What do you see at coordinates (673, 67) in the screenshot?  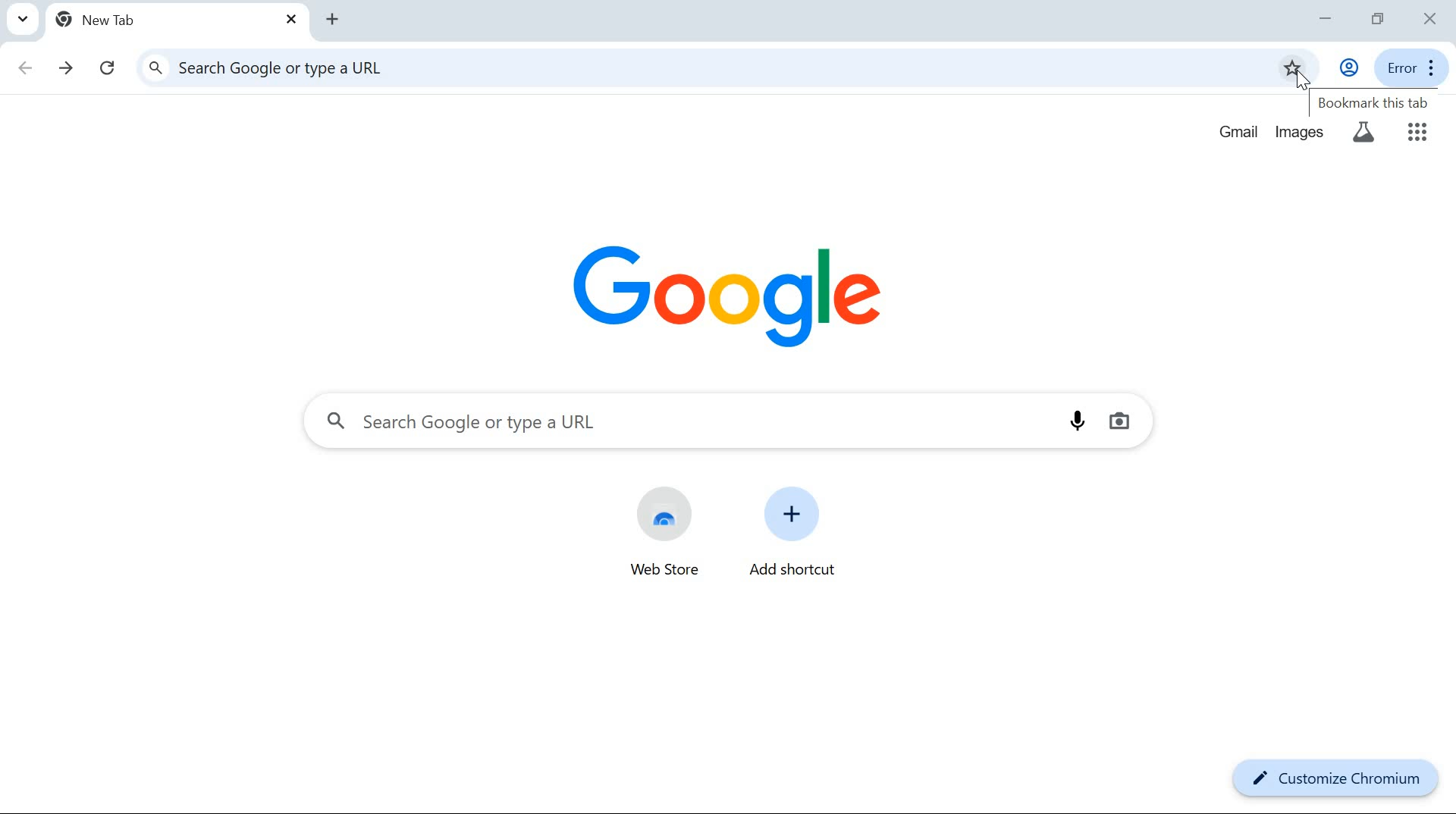 I see `search google or type a URL` at bounding box center [673, 67].